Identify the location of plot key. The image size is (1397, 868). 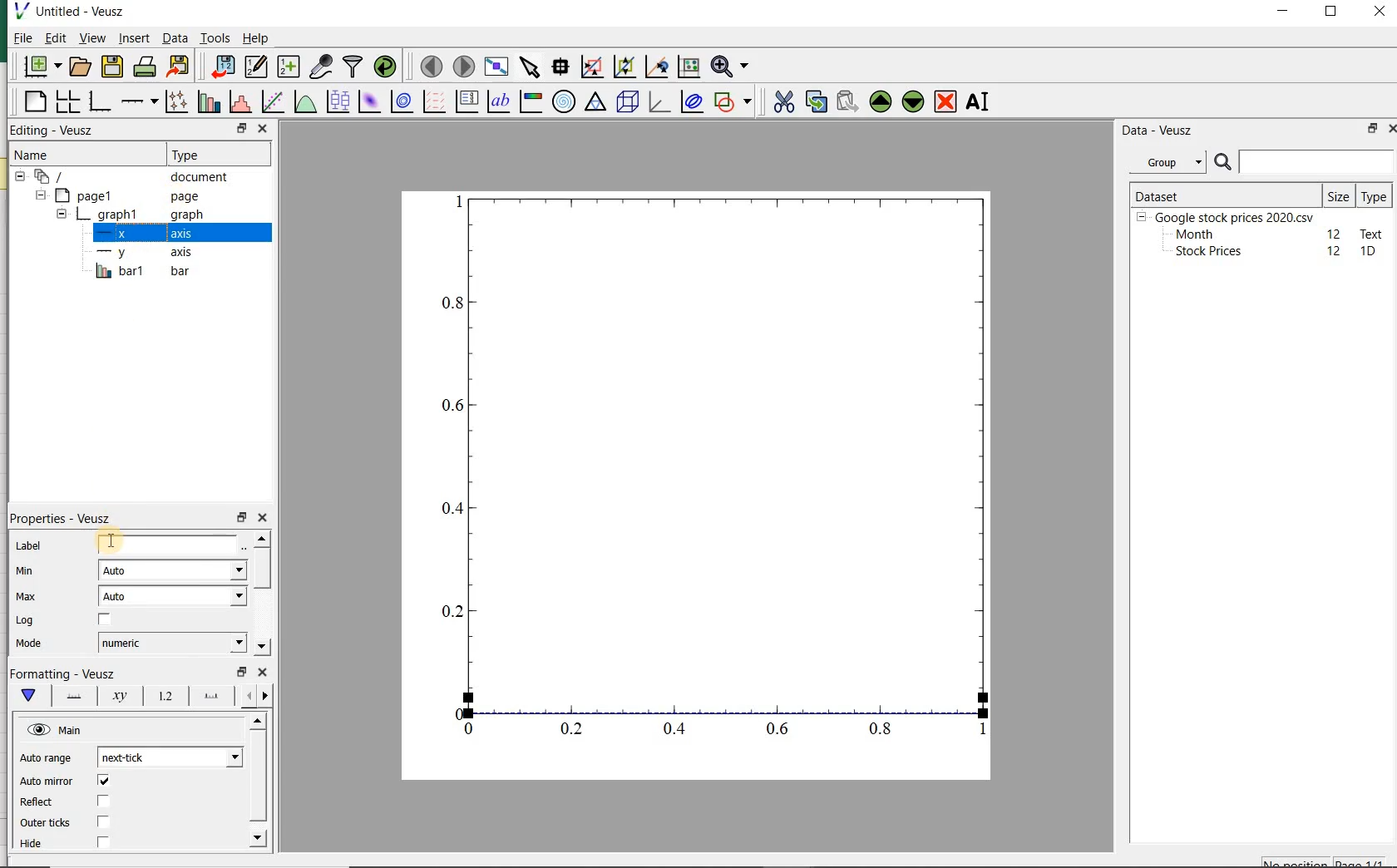
(466, 103).